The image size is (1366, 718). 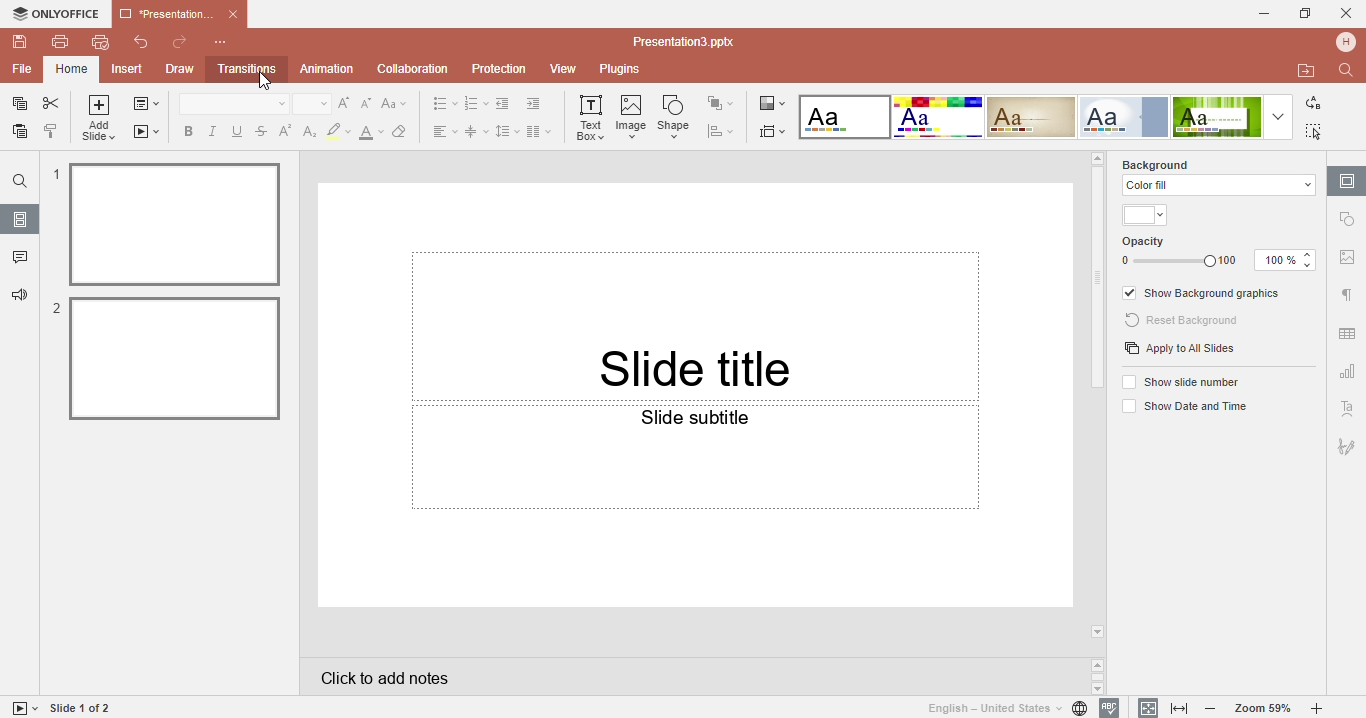 What do you see at coordinates (1348, 330) in the screenshot?
I see `Table setting` at bounding box center [1348, 330].